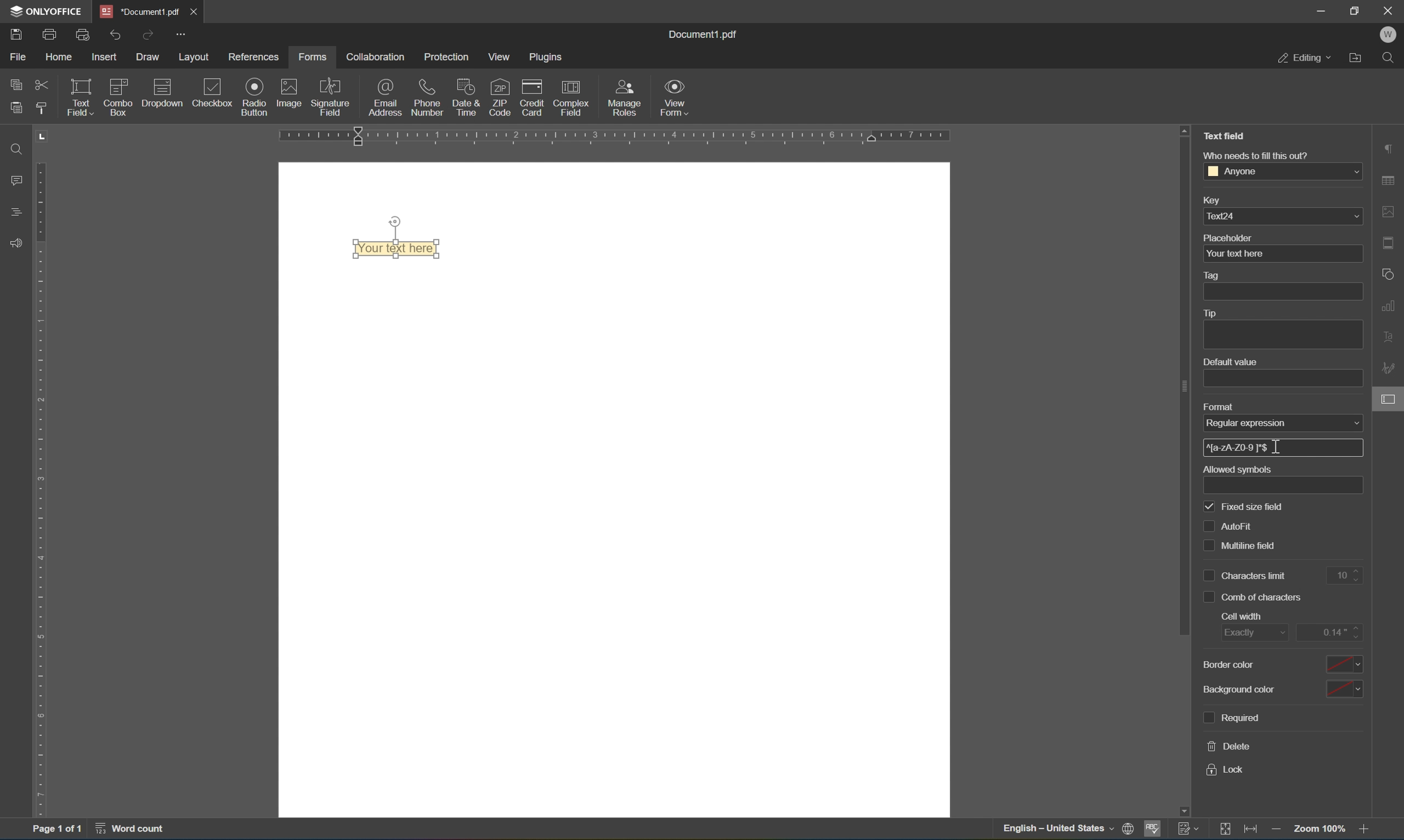 The image size is (1404, 840). What do you see at coordinates (1282, 254) in the screenshot?
I see `your text here` at bounding box center [1282, 254].